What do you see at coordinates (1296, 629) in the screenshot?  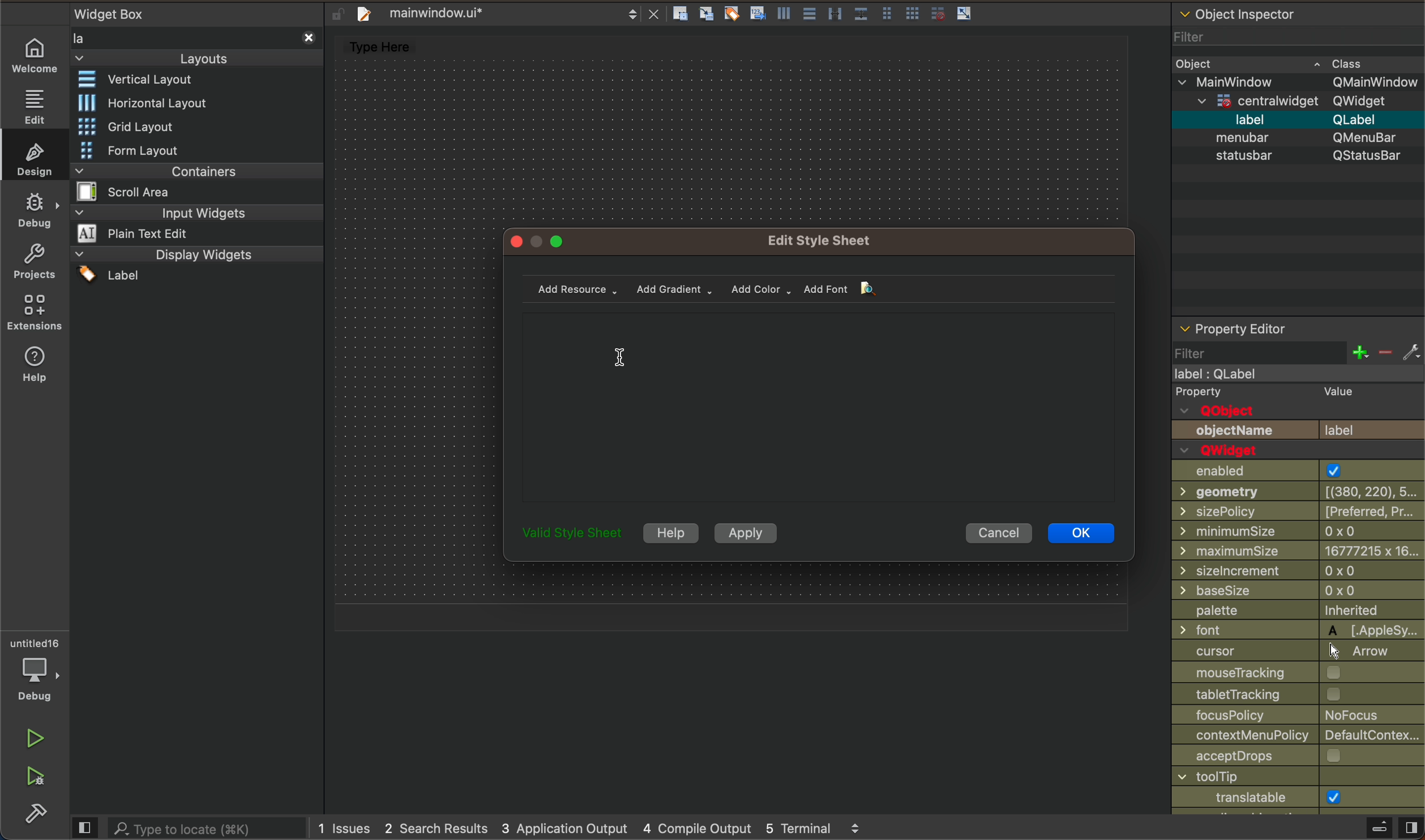 I see `font` at bounding box center [1296, 629].